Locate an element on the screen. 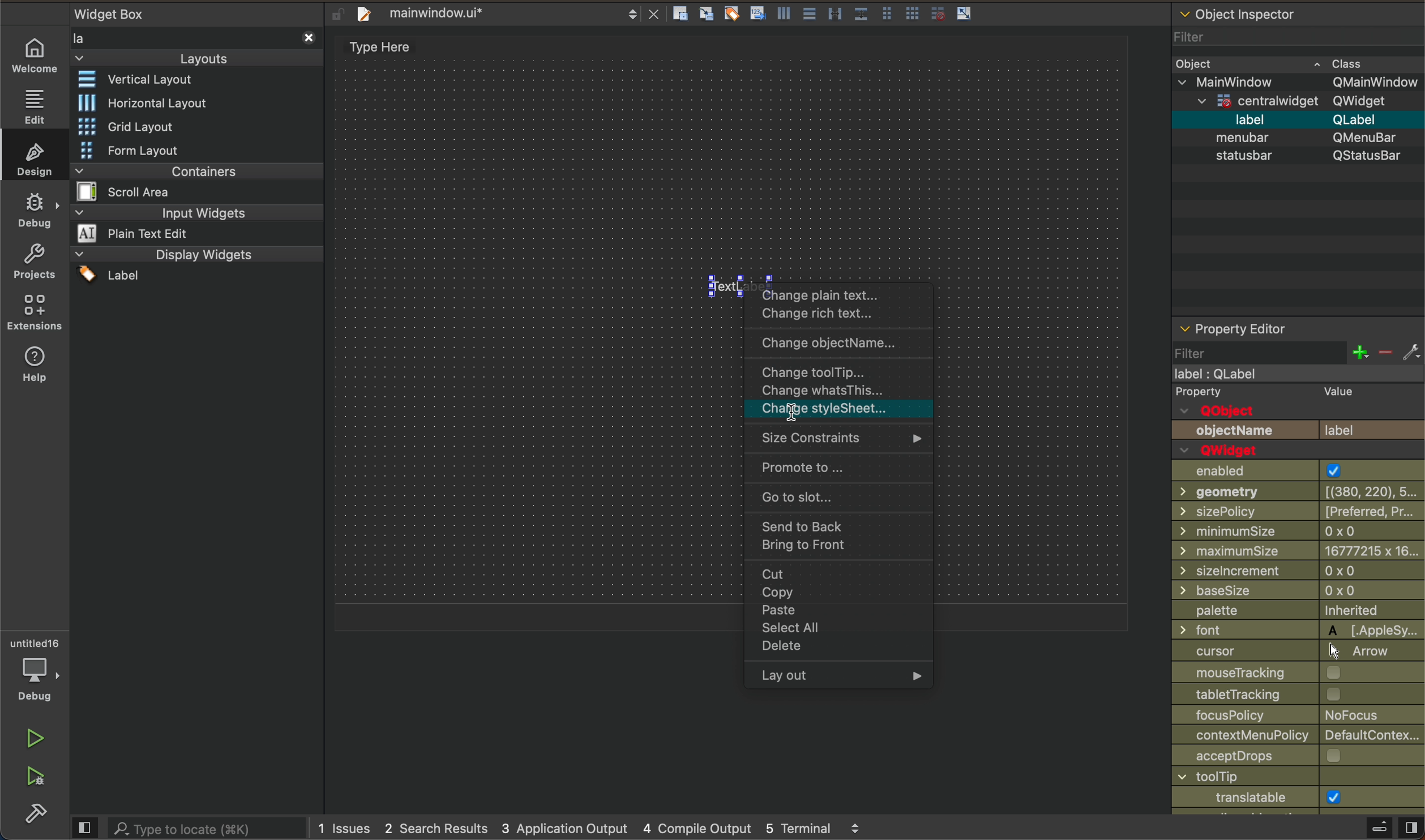 The image size is (1425, 840). extensions is located at coordinates (35, 315).